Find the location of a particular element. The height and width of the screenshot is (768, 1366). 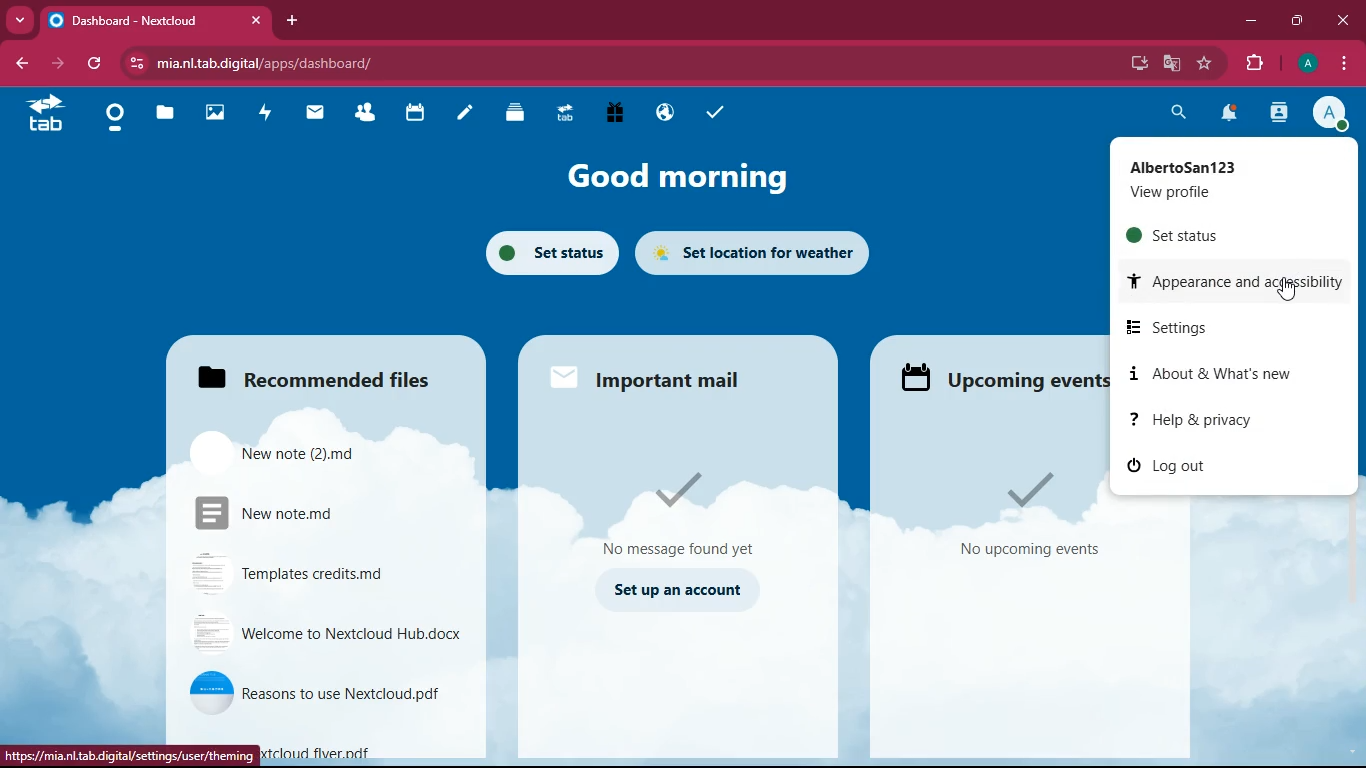

help is located at coordinates (1223, 419).